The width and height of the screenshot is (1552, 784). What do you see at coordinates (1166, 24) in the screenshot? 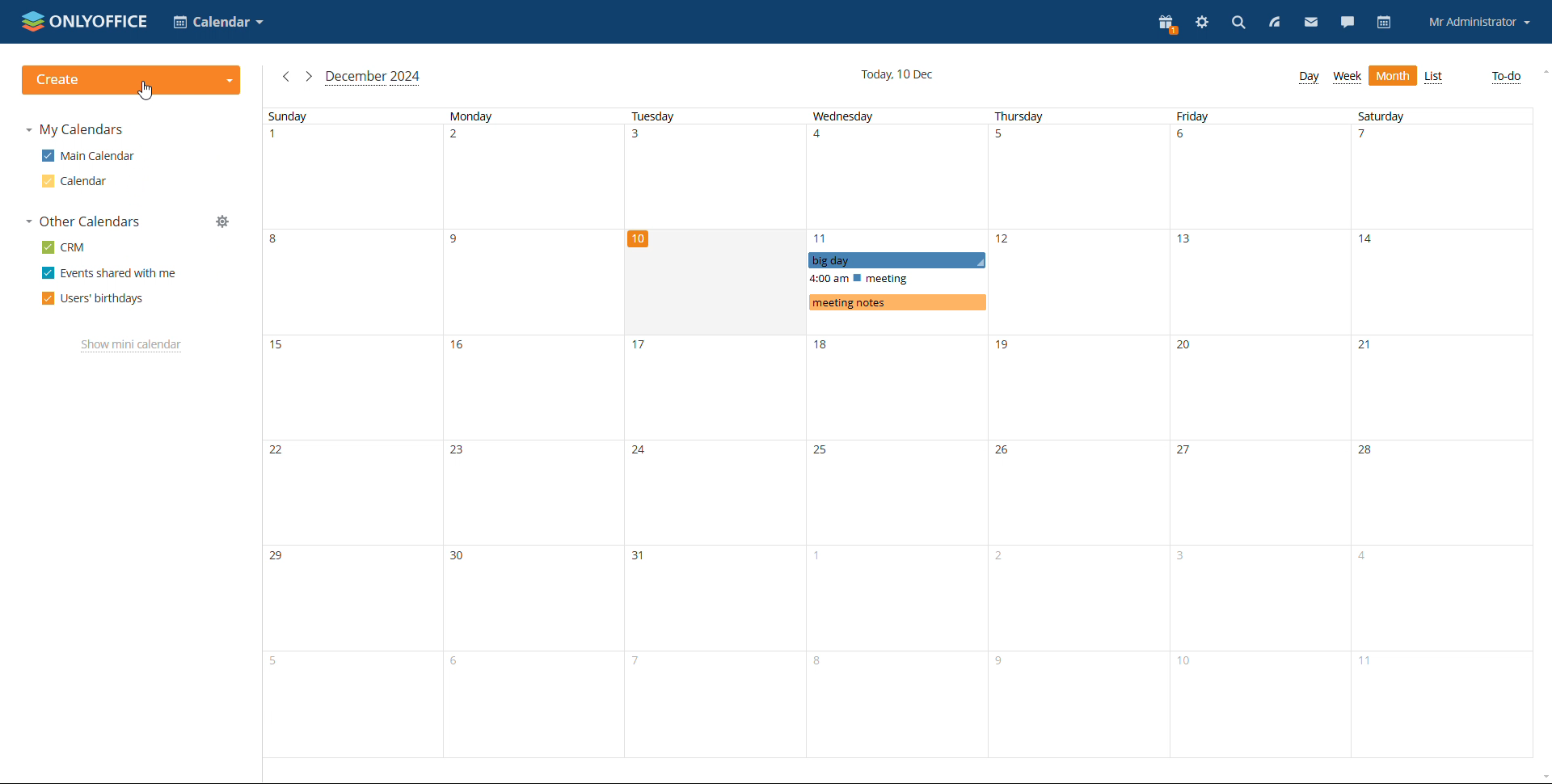
I see `present` at bounding box center [1166, 24].